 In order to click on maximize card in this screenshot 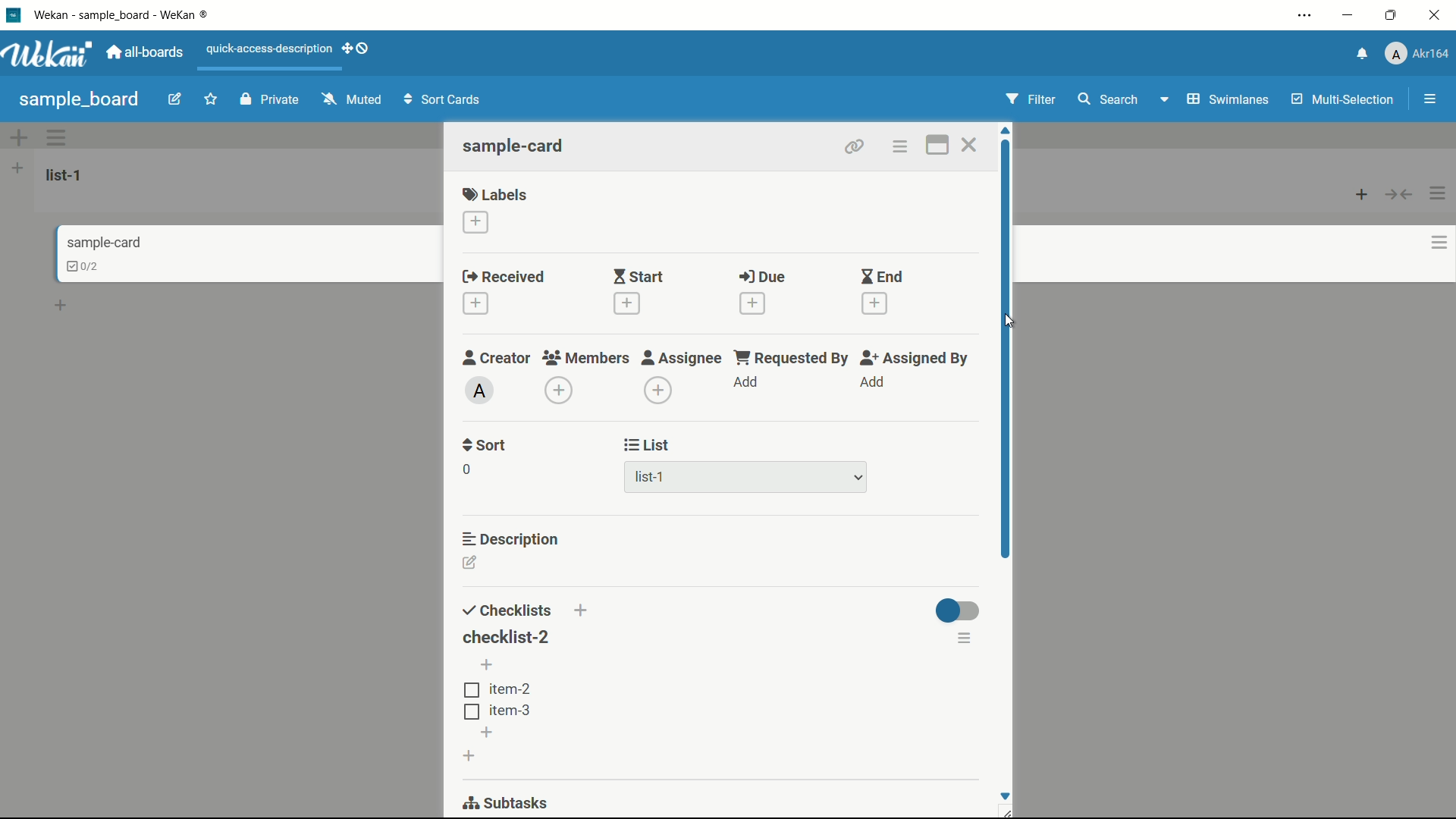, I will do `click(936, 145)`.